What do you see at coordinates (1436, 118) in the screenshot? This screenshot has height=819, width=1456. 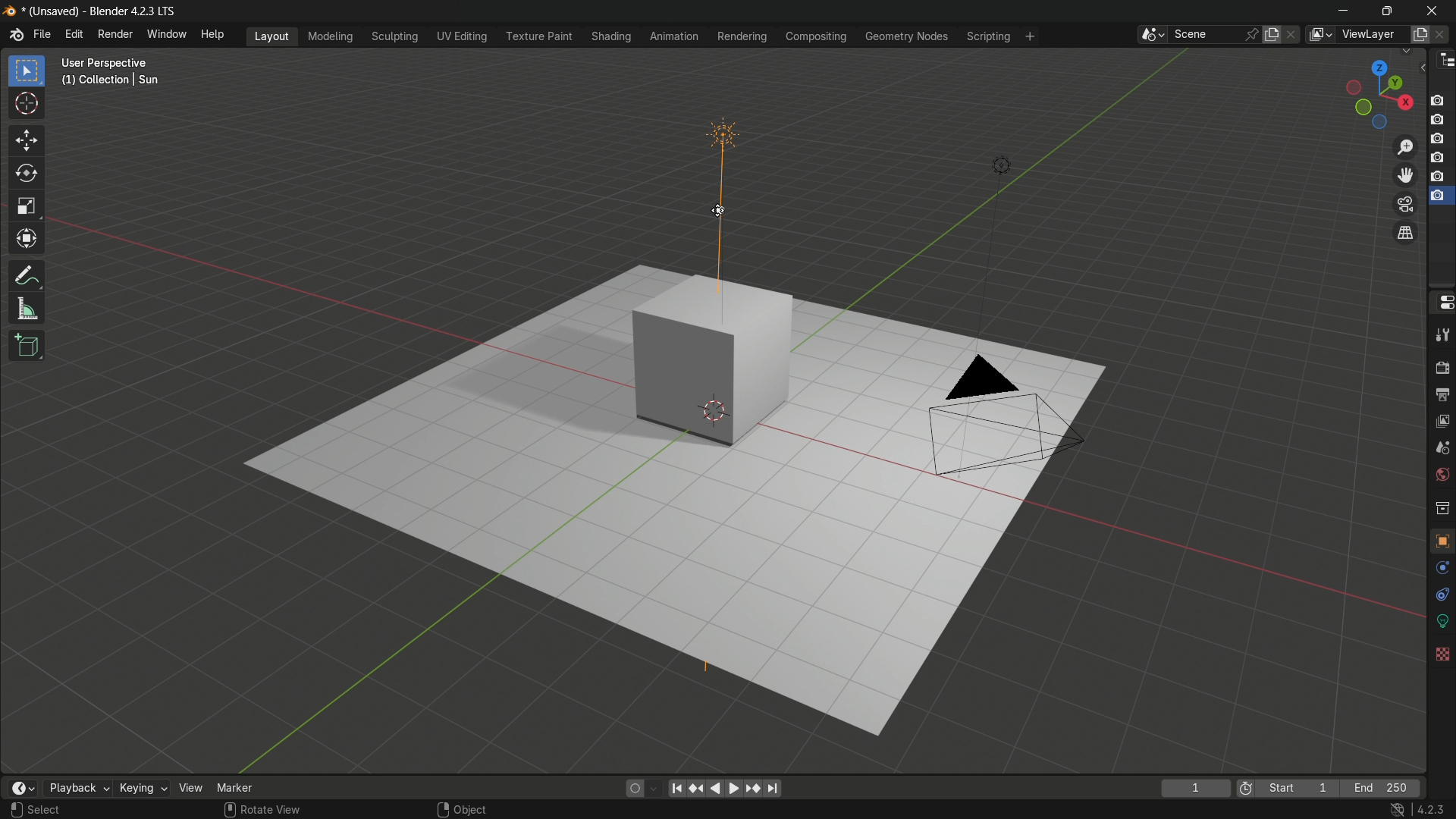 I see `layer 2` at bounding box center [1436, 118].